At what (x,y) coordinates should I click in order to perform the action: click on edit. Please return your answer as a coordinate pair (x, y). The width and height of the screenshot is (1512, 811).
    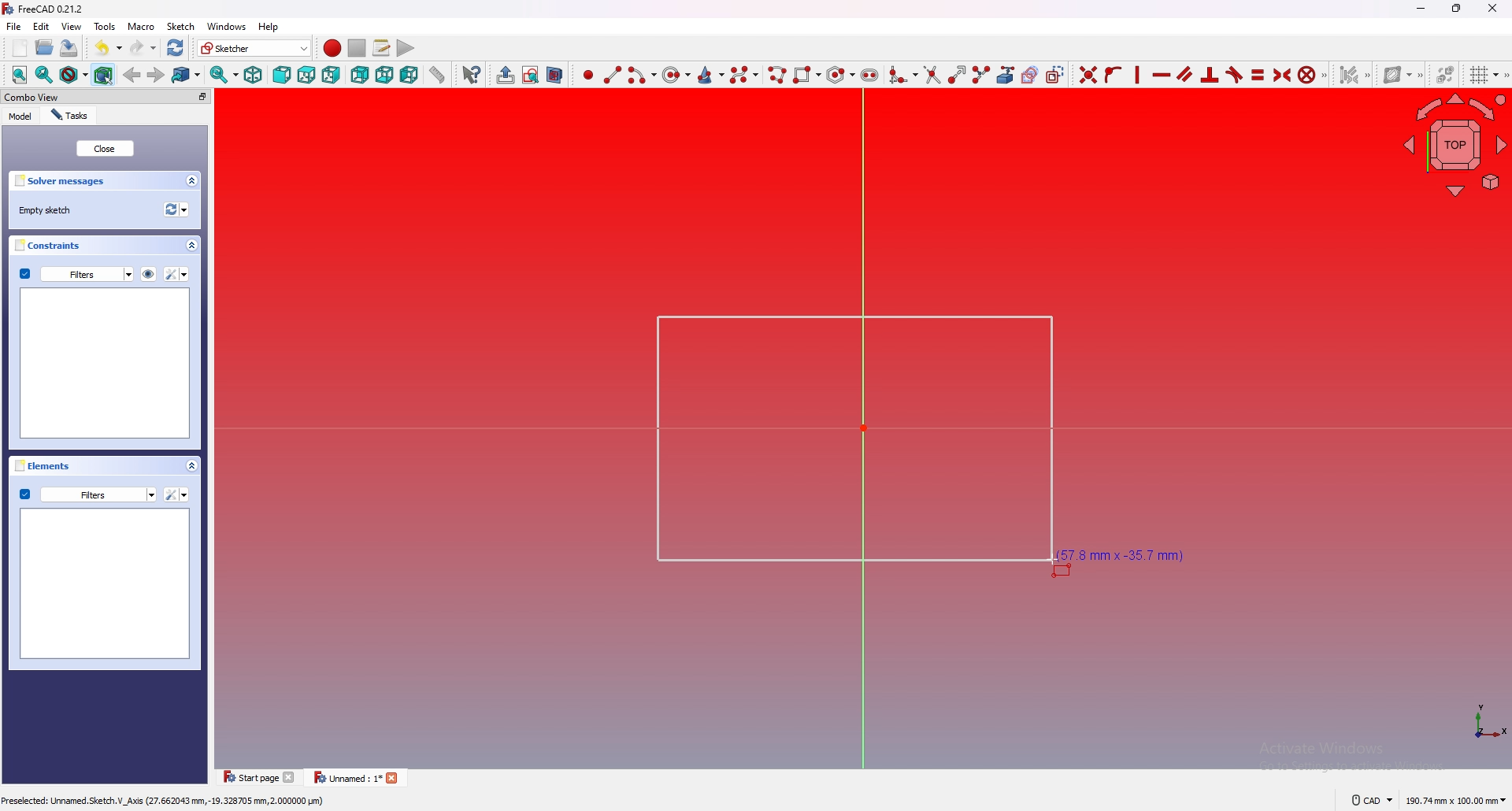
    Looking at the image, I should click on (41, 26).